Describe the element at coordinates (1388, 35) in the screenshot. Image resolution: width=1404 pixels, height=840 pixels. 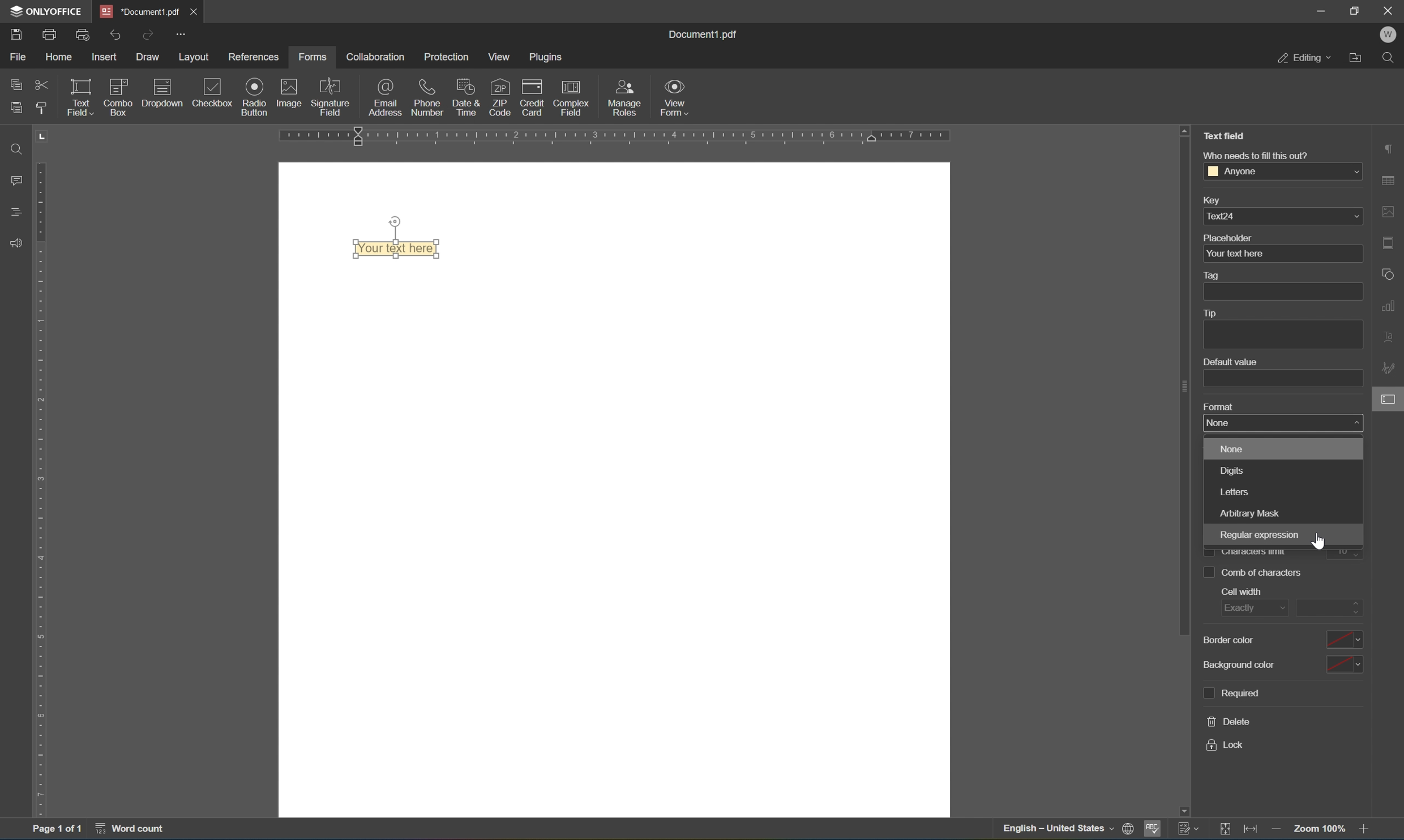
I see `welcome` at that location.